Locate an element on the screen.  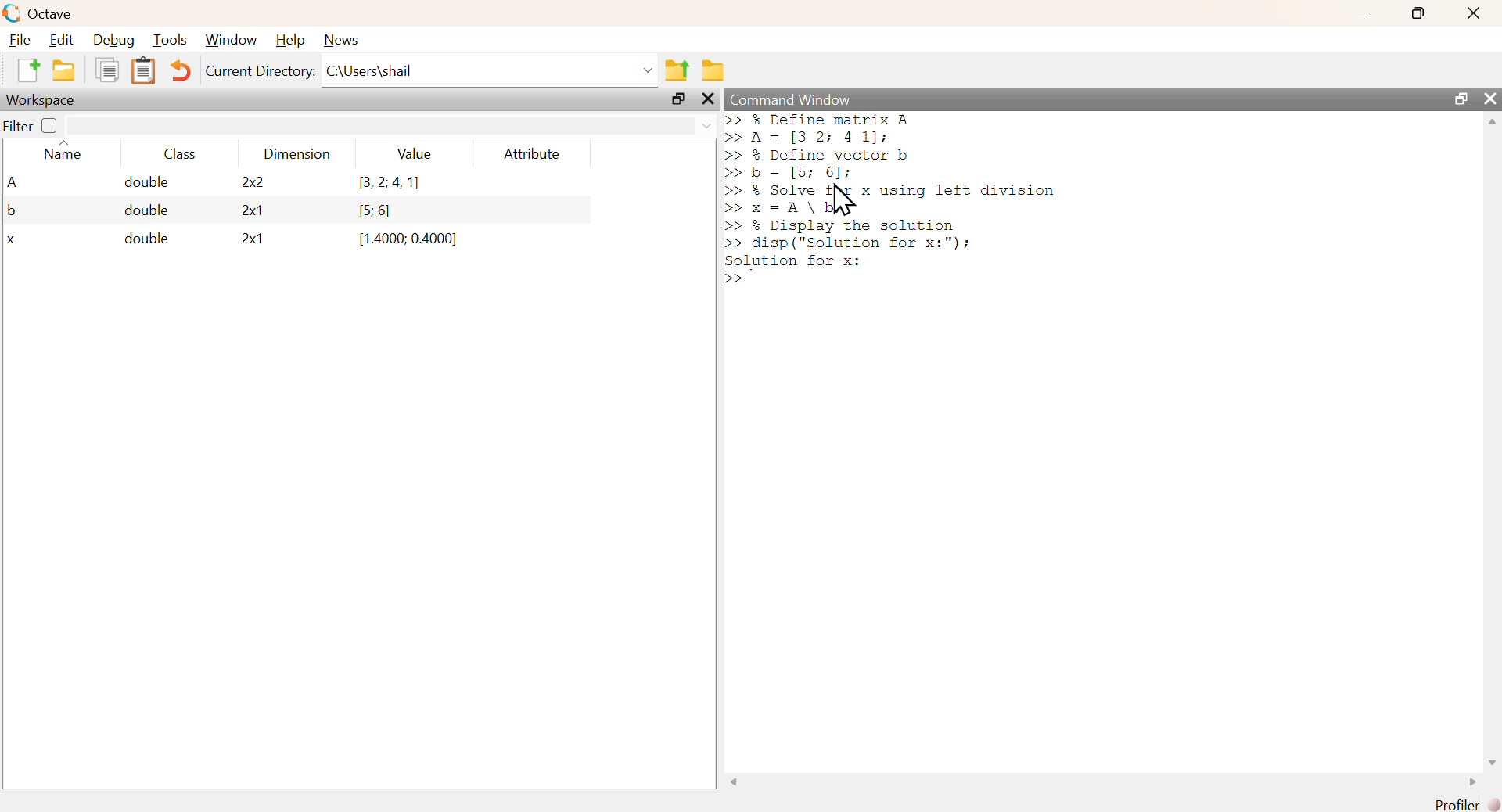
double is located at coordinates (140, 210).